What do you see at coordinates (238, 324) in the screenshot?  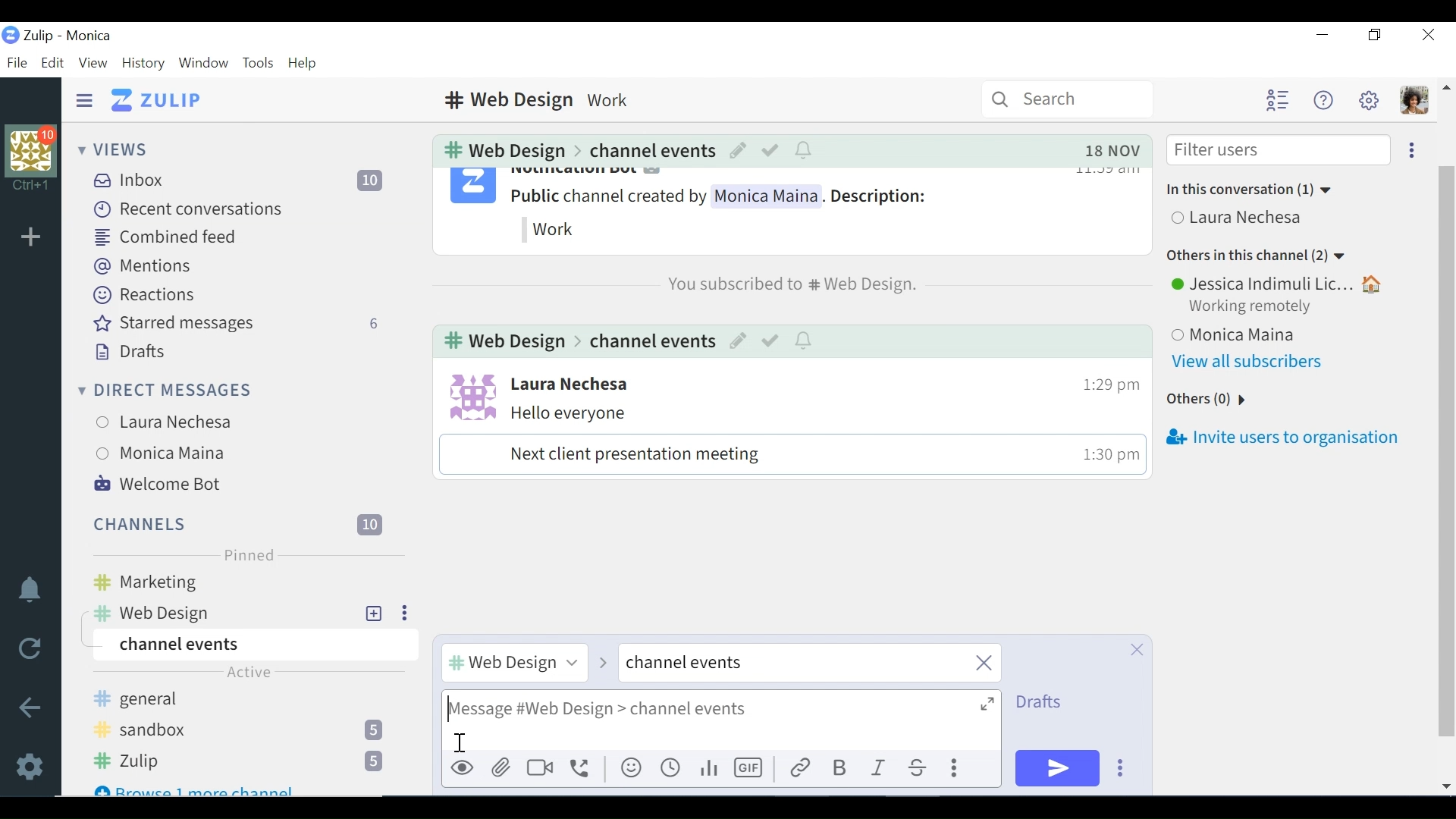 I see `Starred messages` at bounding box center [238, 324].